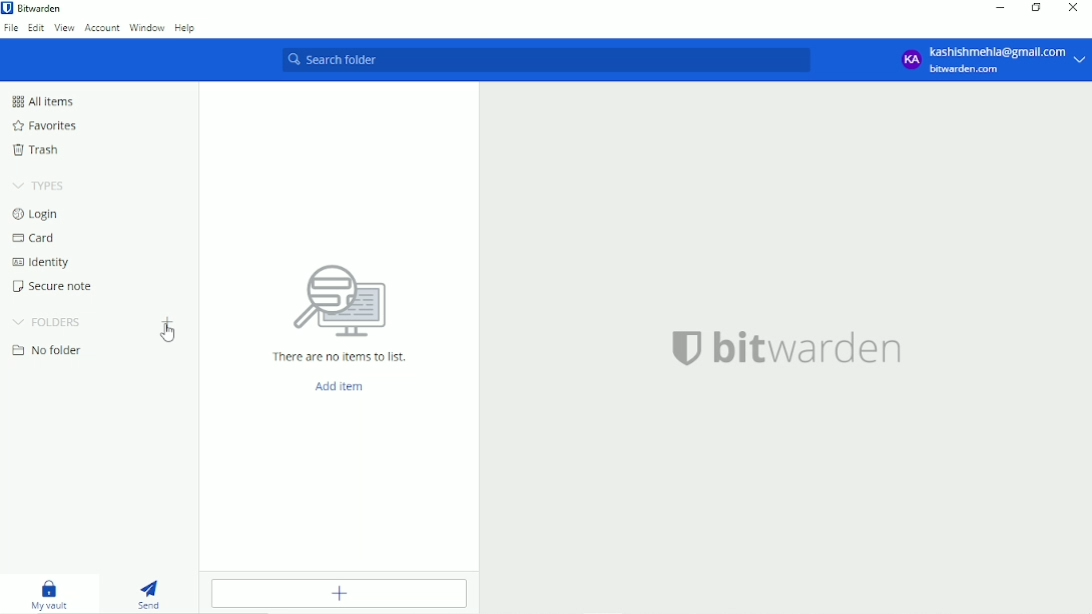  What do you see at coordinates (40, 9) in the screenshot?
I see `Bitwarden` at bounding box center [40, 9].